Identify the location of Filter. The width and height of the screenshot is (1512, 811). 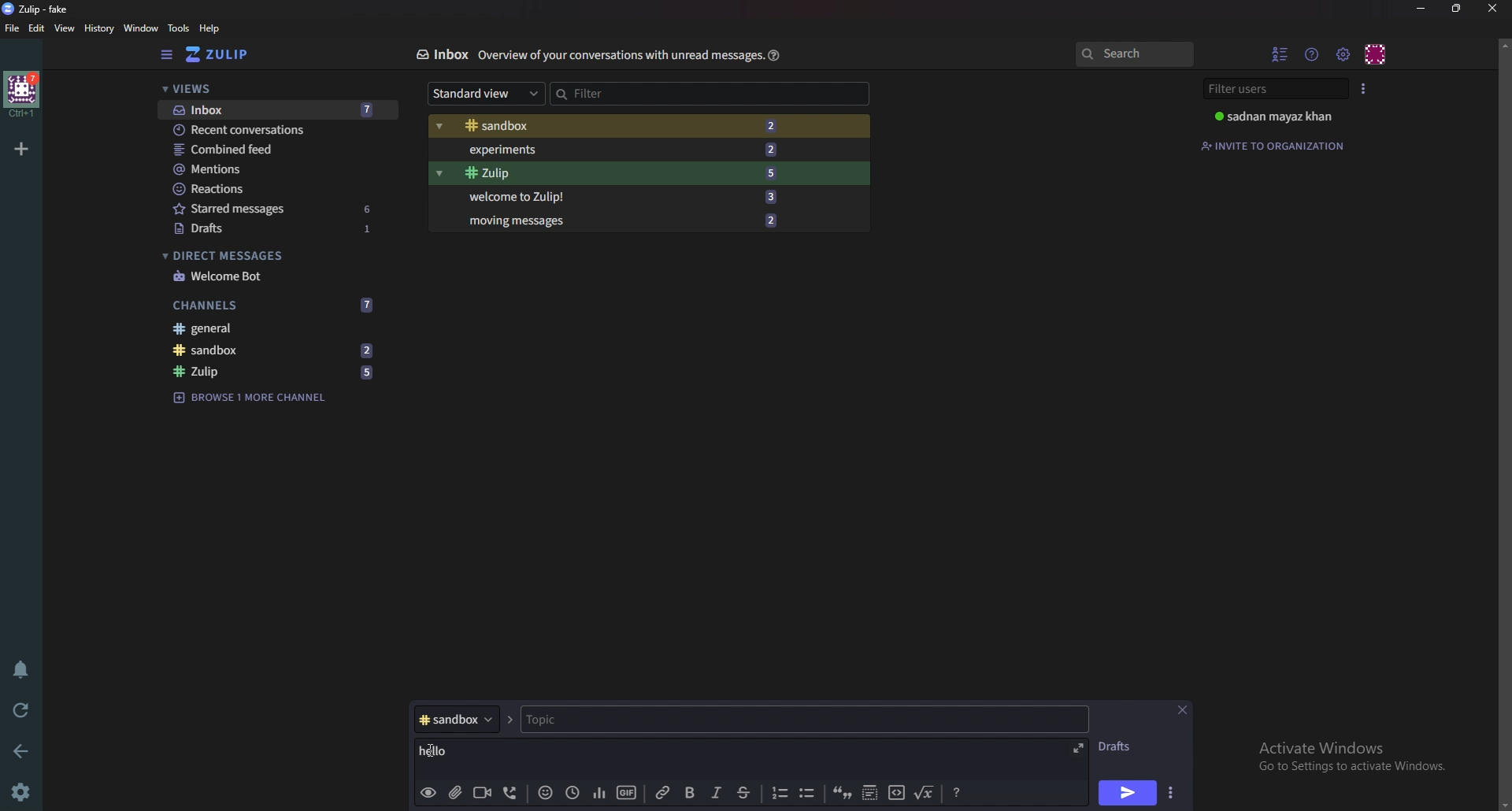
(710, 94).